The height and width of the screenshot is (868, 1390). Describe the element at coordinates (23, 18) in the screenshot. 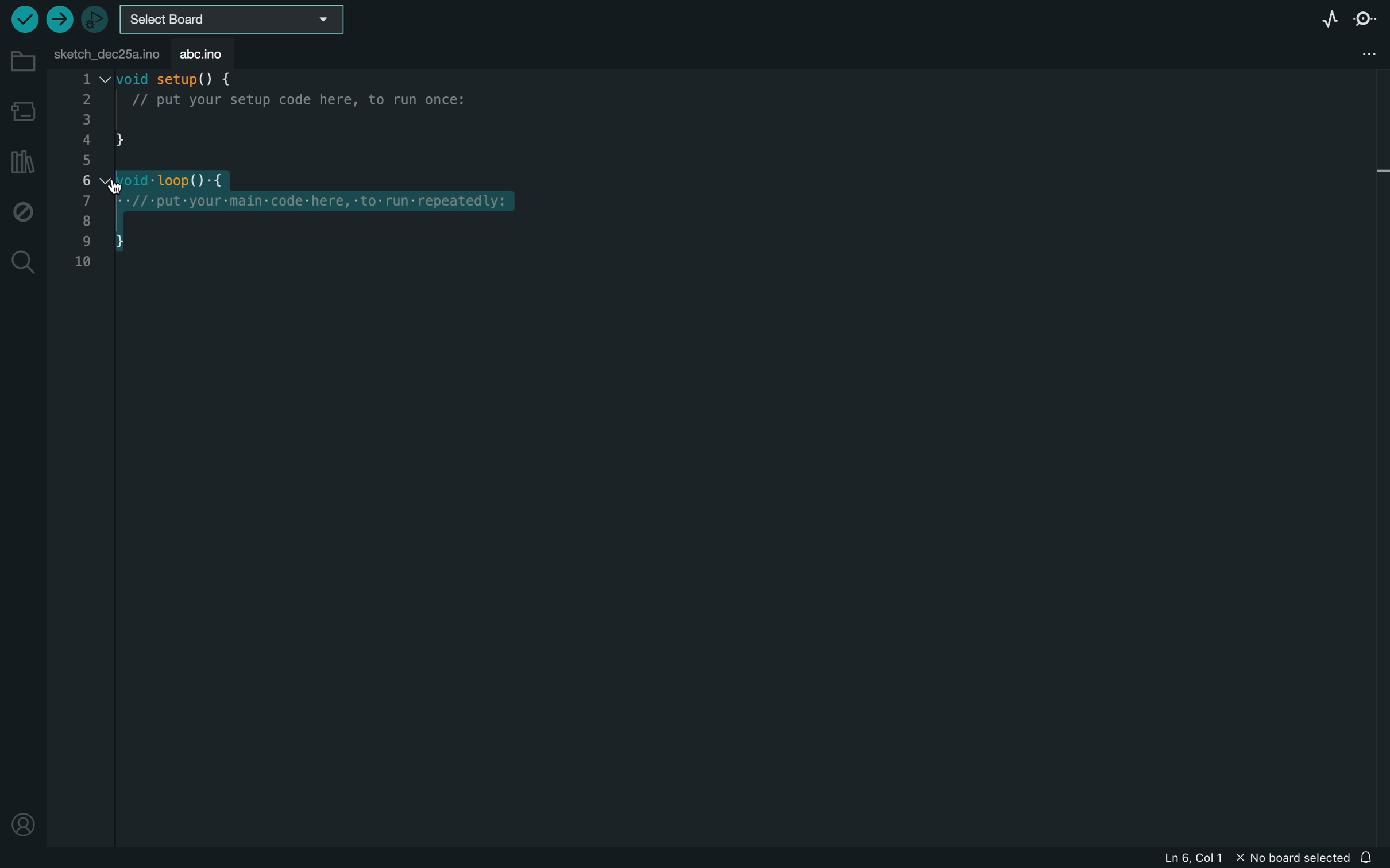

I see `verify` at that location.